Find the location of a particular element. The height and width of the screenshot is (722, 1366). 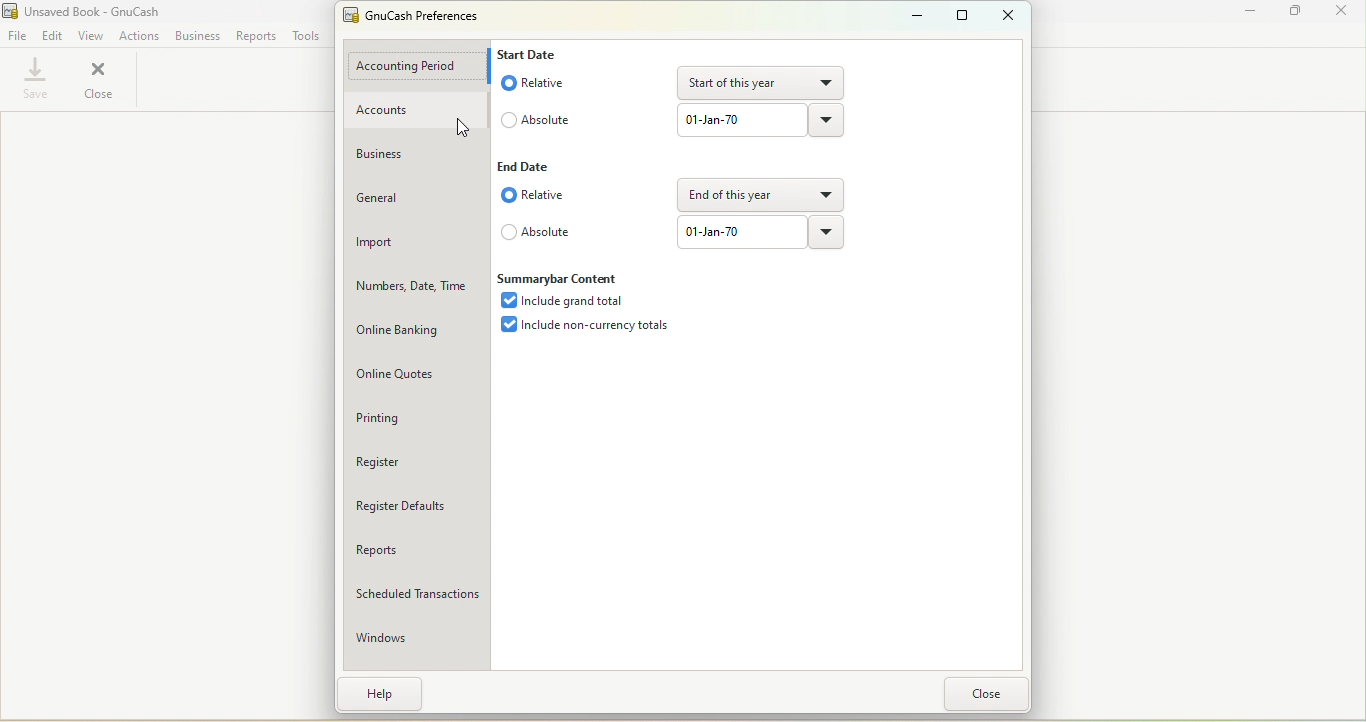

Text box is located at coordinates (741, 231).